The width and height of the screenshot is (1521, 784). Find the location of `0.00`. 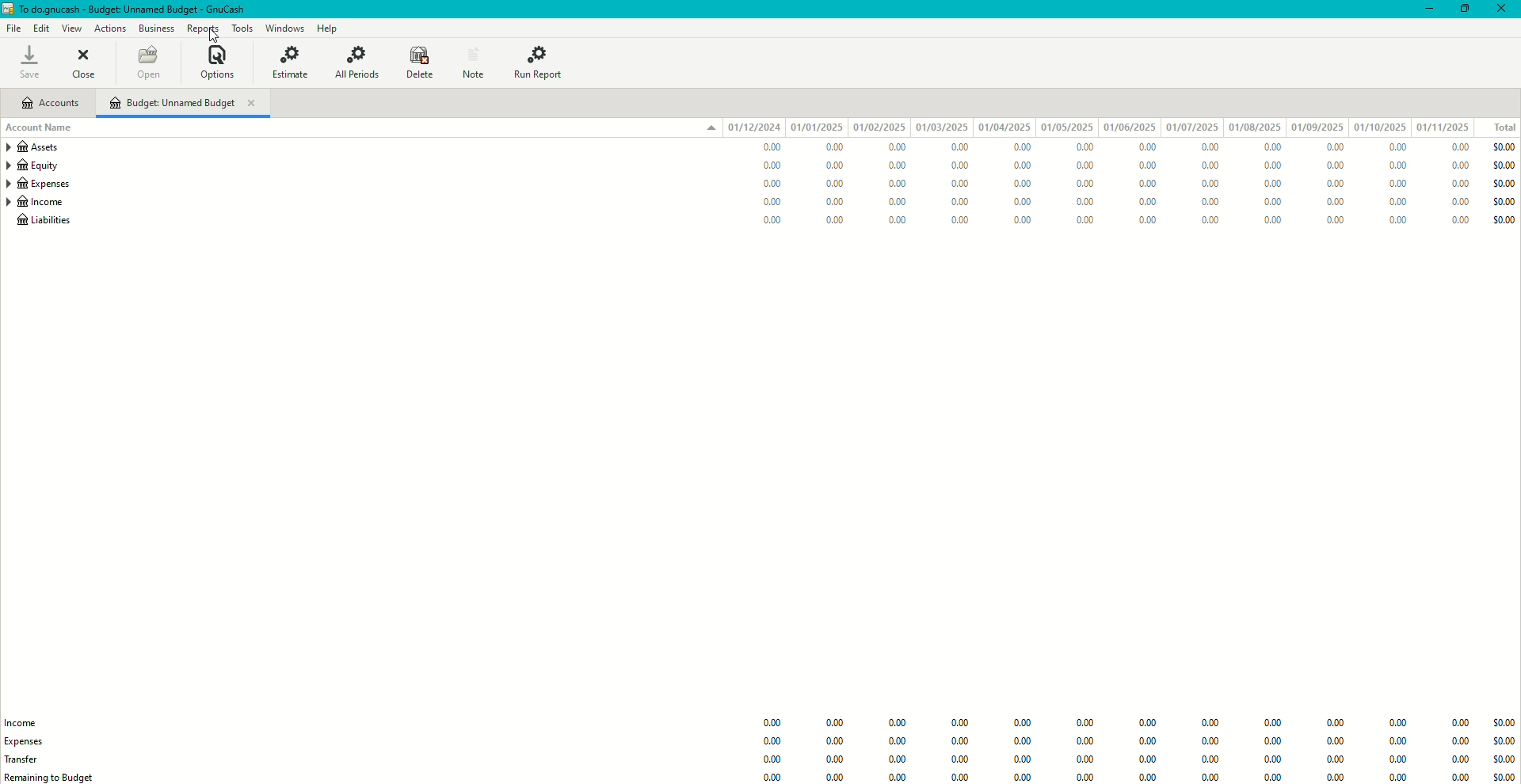

0.00 is located at coordinates (951, 166).